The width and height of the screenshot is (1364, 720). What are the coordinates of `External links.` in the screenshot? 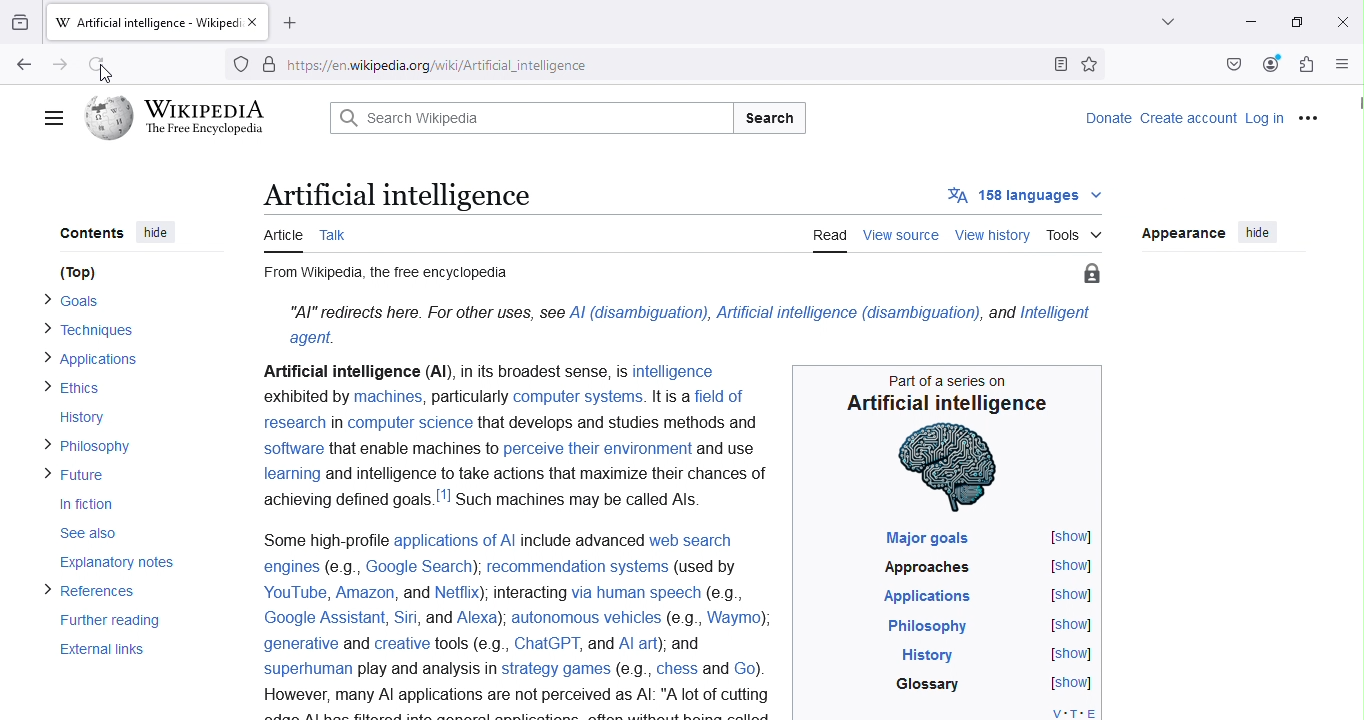 It's located at (106, 655).